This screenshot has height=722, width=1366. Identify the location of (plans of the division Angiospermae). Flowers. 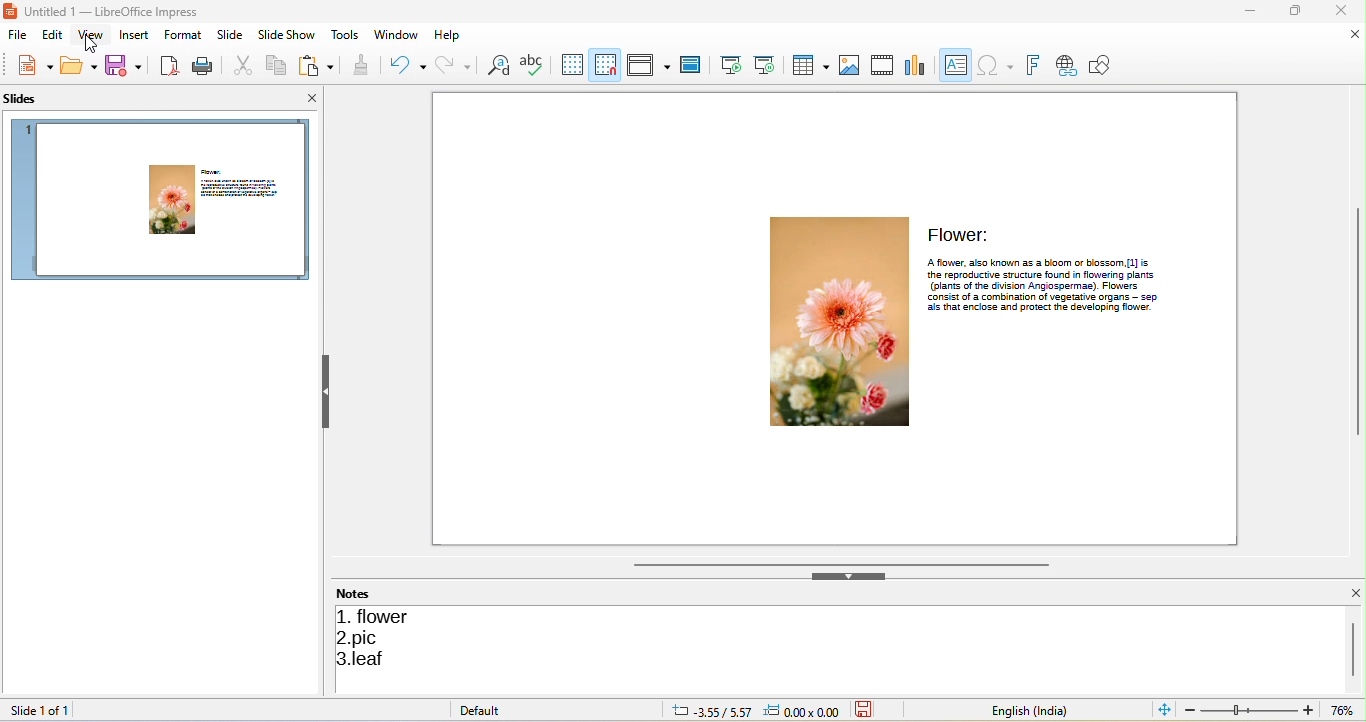
(1037, 286).